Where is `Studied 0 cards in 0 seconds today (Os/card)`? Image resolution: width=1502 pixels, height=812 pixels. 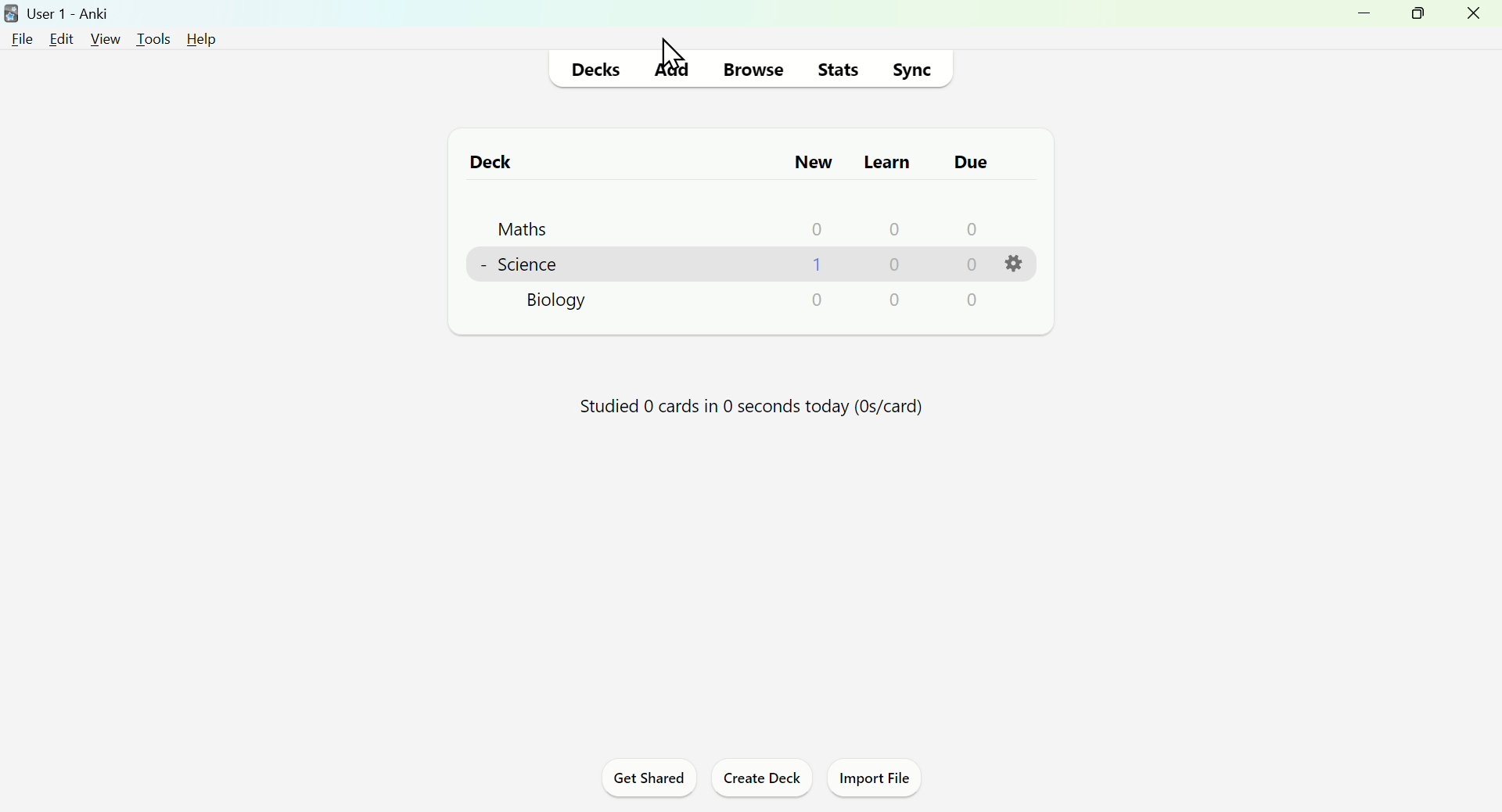
Studied 0 cards in 0 seconds today (Os/card) is located at coordinates (752, 405).